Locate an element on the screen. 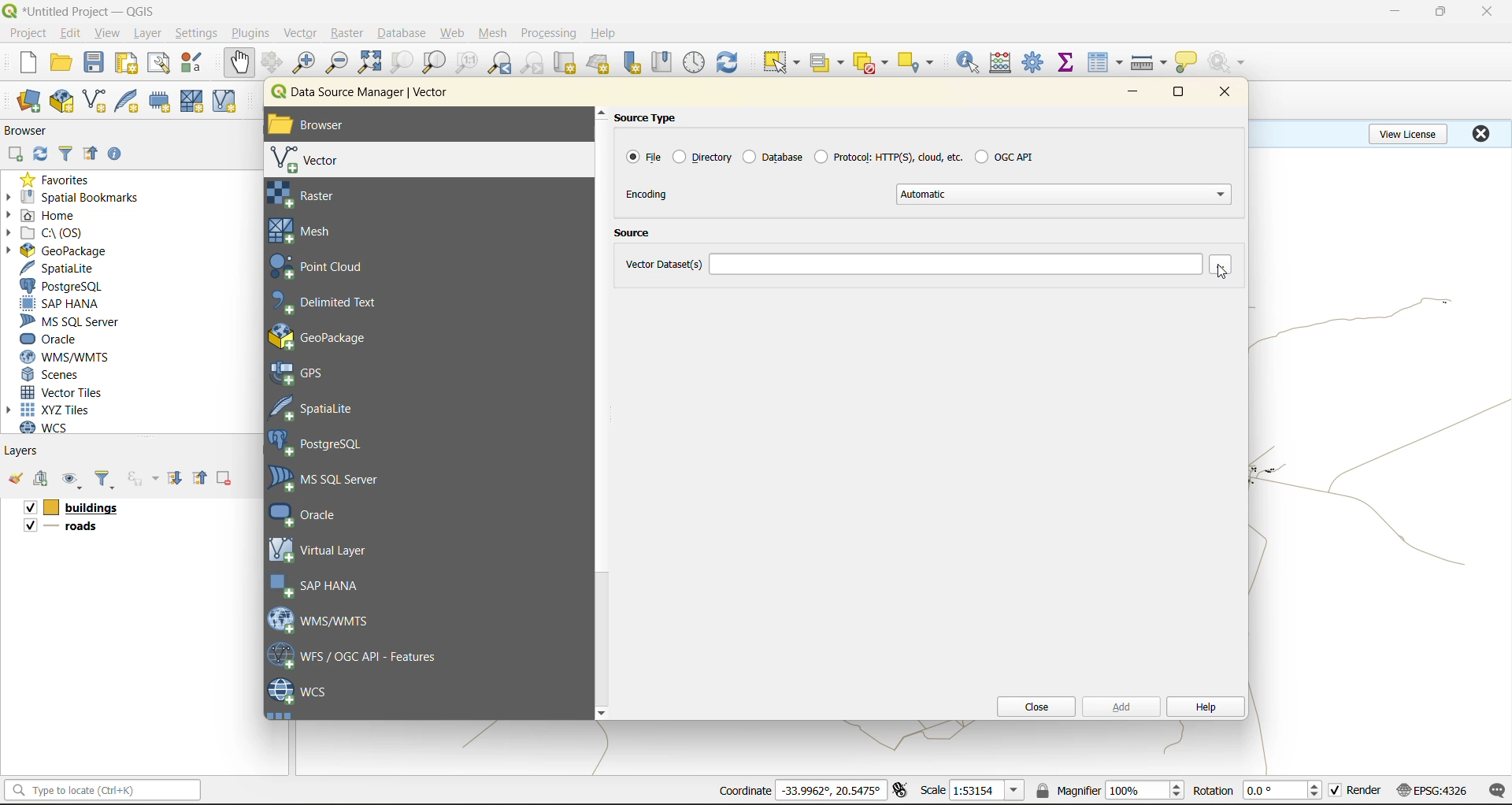 This screenshot has height=805, width=1512. layers is located at coordinates (73, 529).